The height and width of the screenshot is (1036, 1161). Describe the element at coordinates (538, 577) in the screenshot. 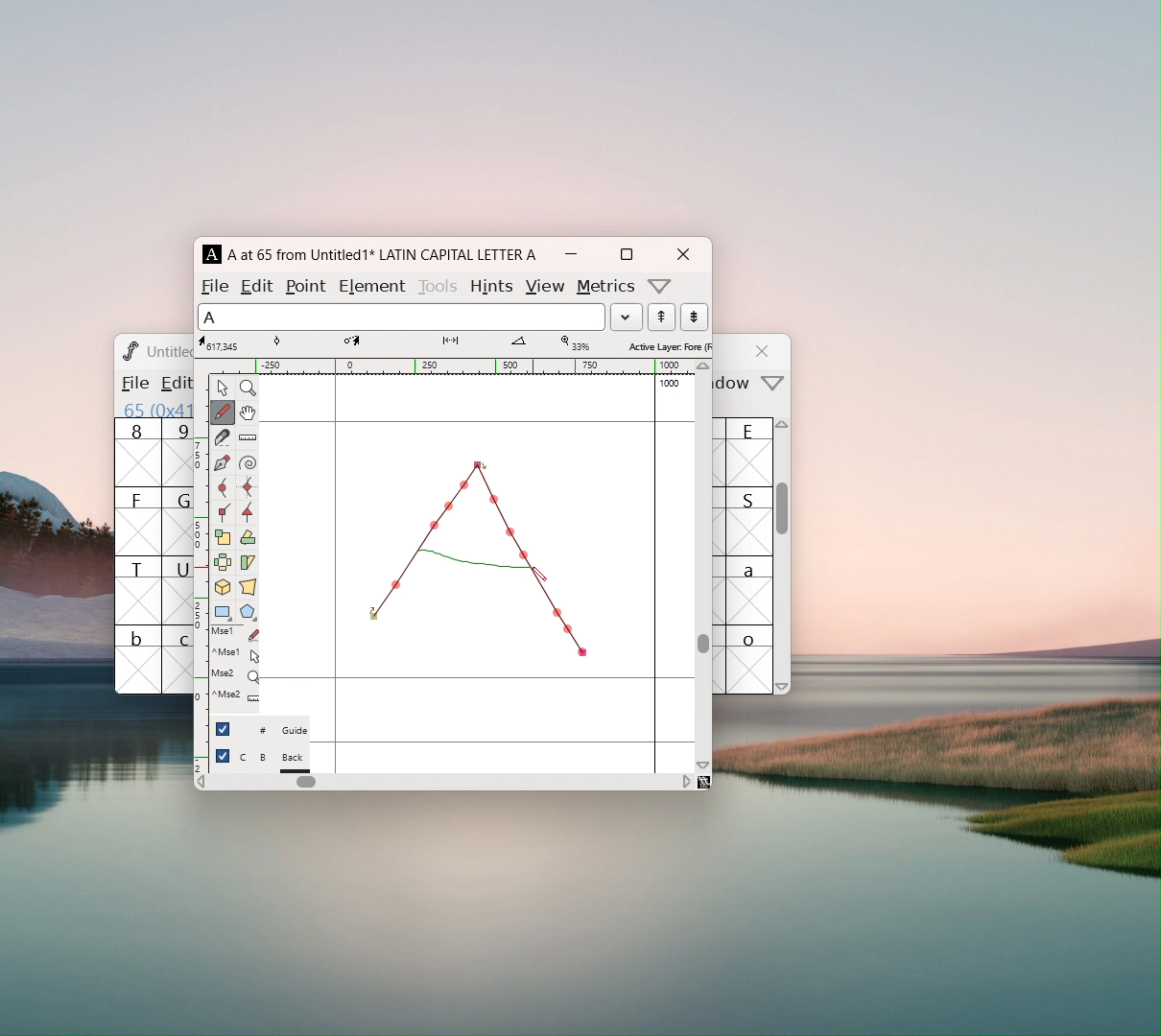

I see `cursor` at that location.